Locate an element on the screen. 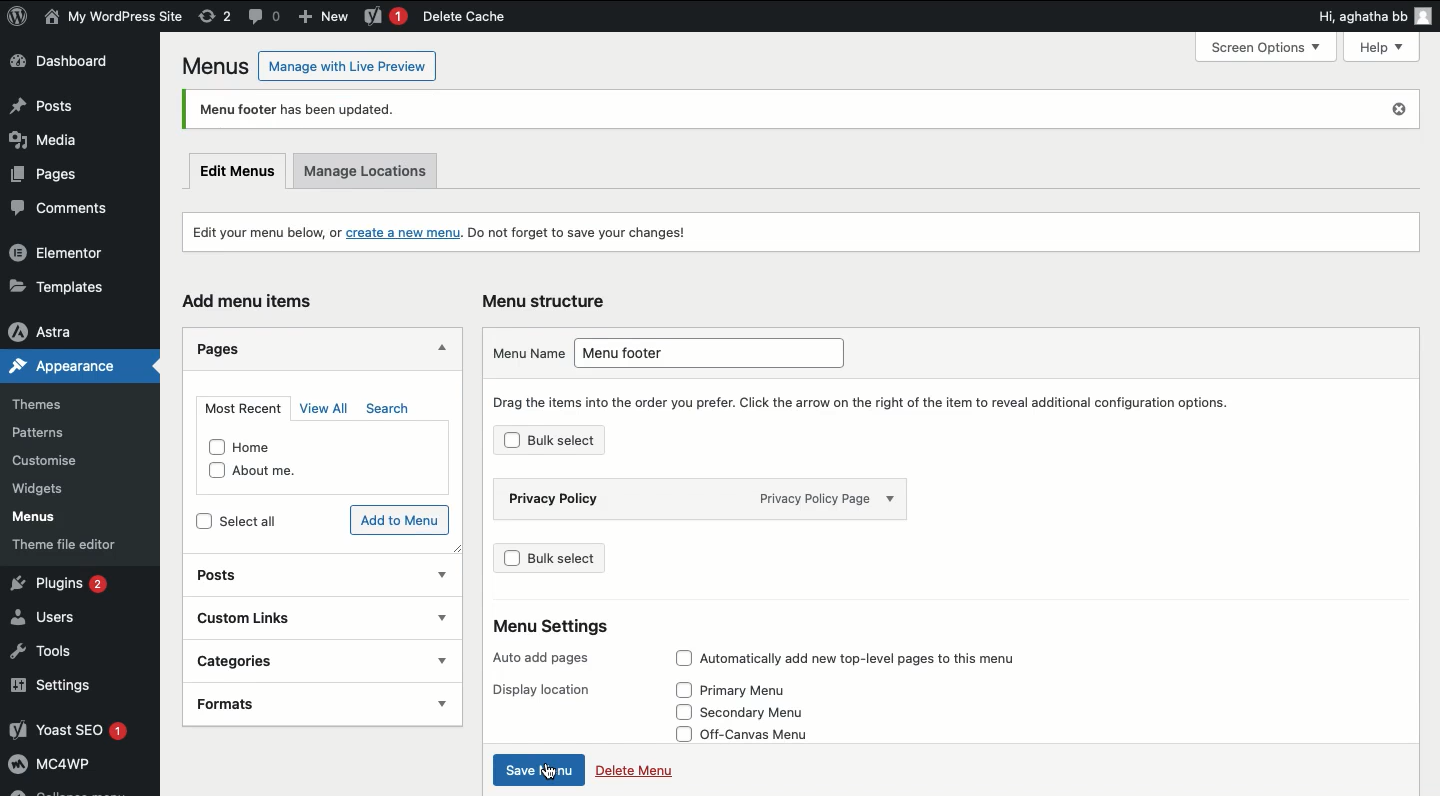 This screenshot has width=1440, height=796. Privacy policy is located at coordinates (701, 499).